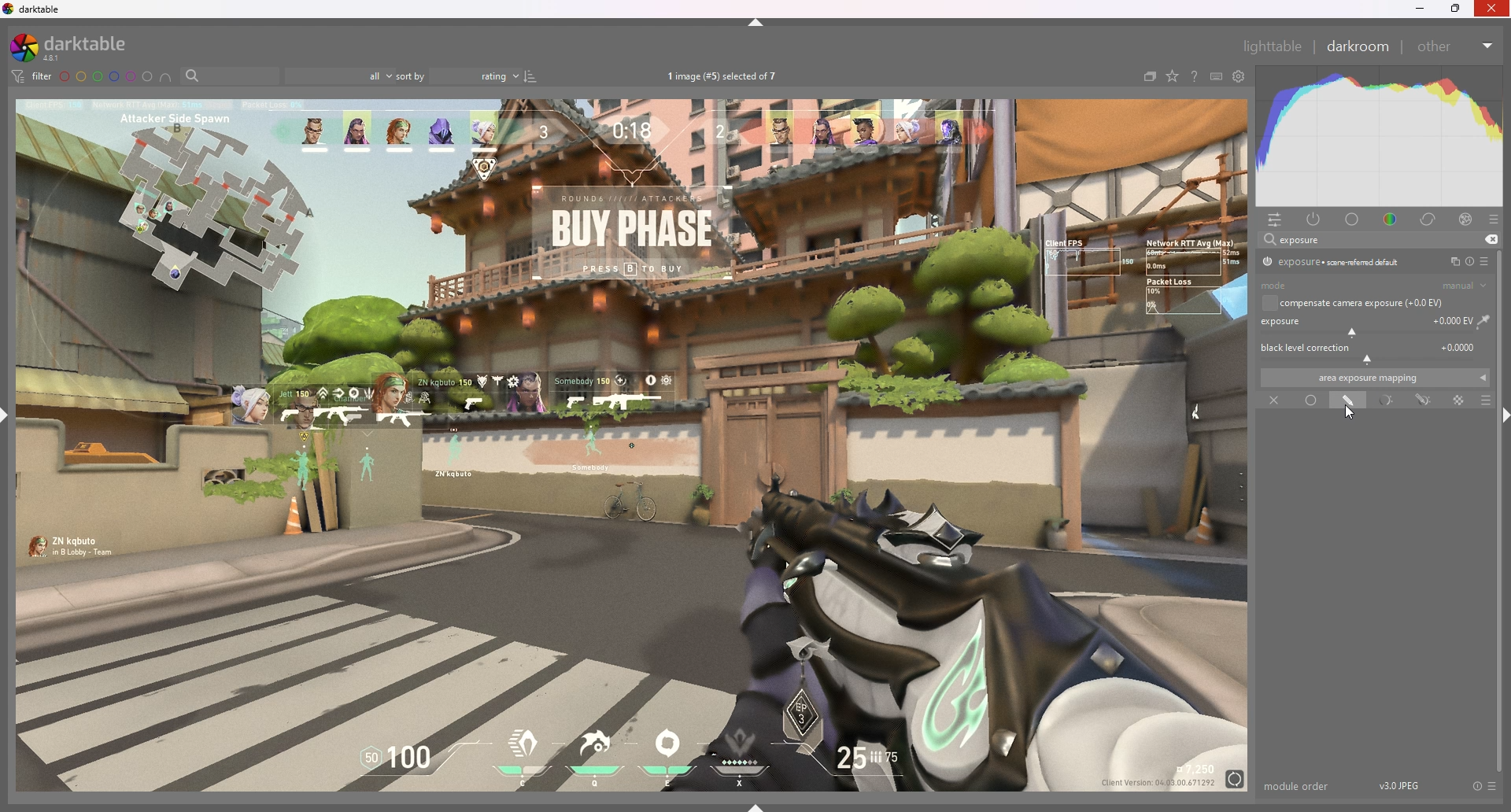 This screenshot has width=1511, height=812. I want to click on compensate camera exposure, so click(1361, 303).